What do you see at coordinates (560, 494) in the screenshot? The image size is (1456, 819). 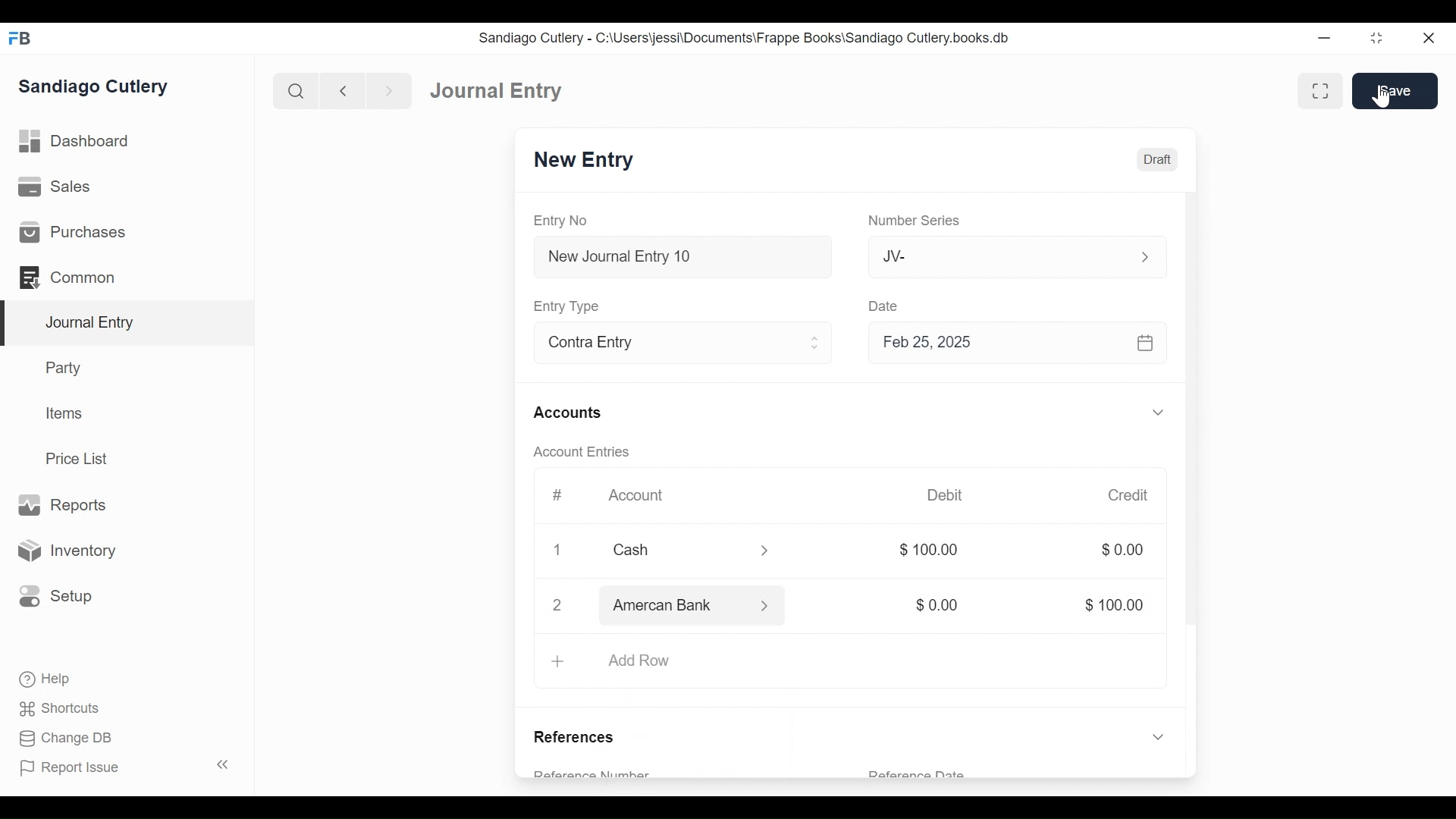 I see `#` at bounding box center [560, 494].